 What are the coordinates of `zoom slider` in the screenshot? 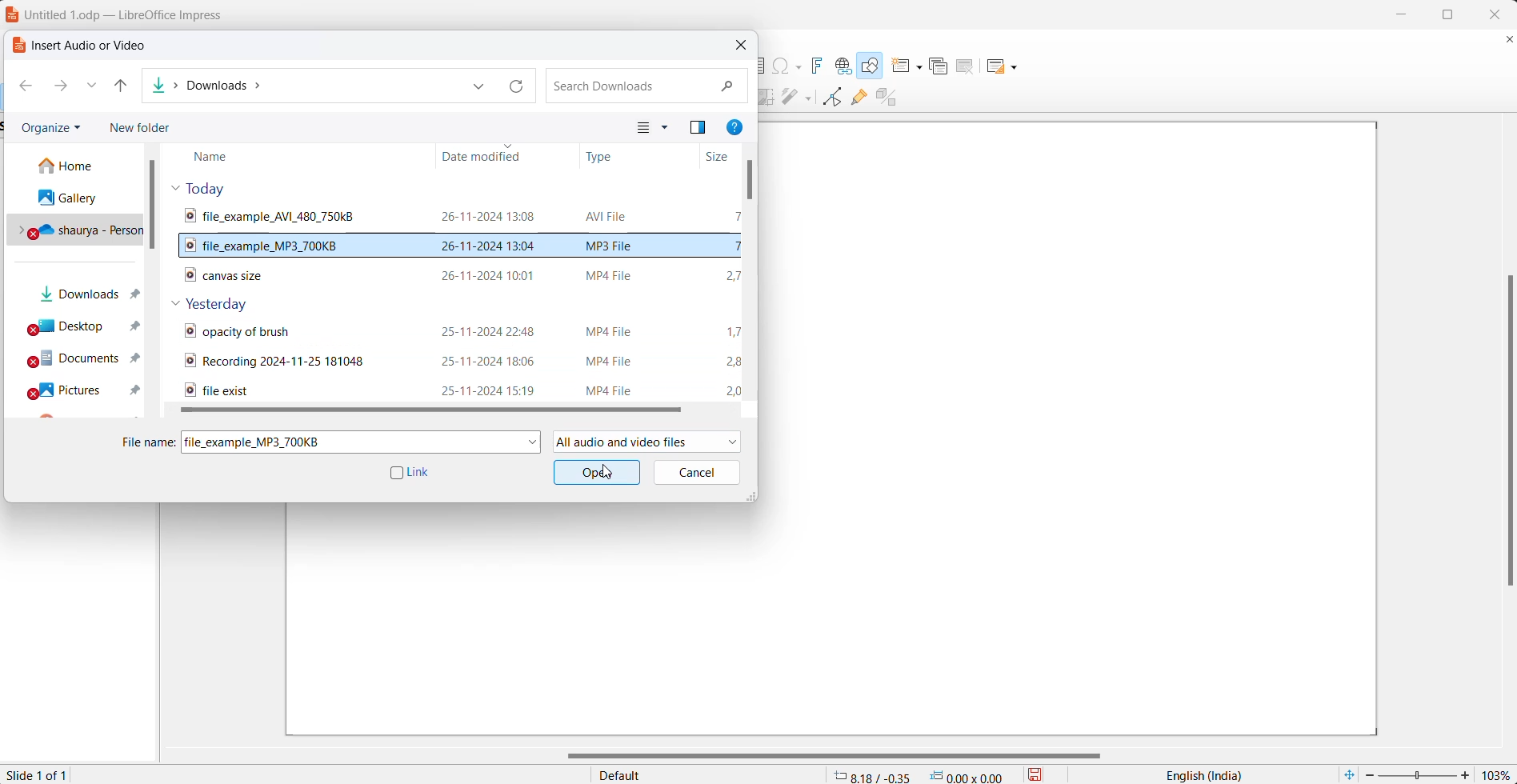 It's located at (1418, 776).